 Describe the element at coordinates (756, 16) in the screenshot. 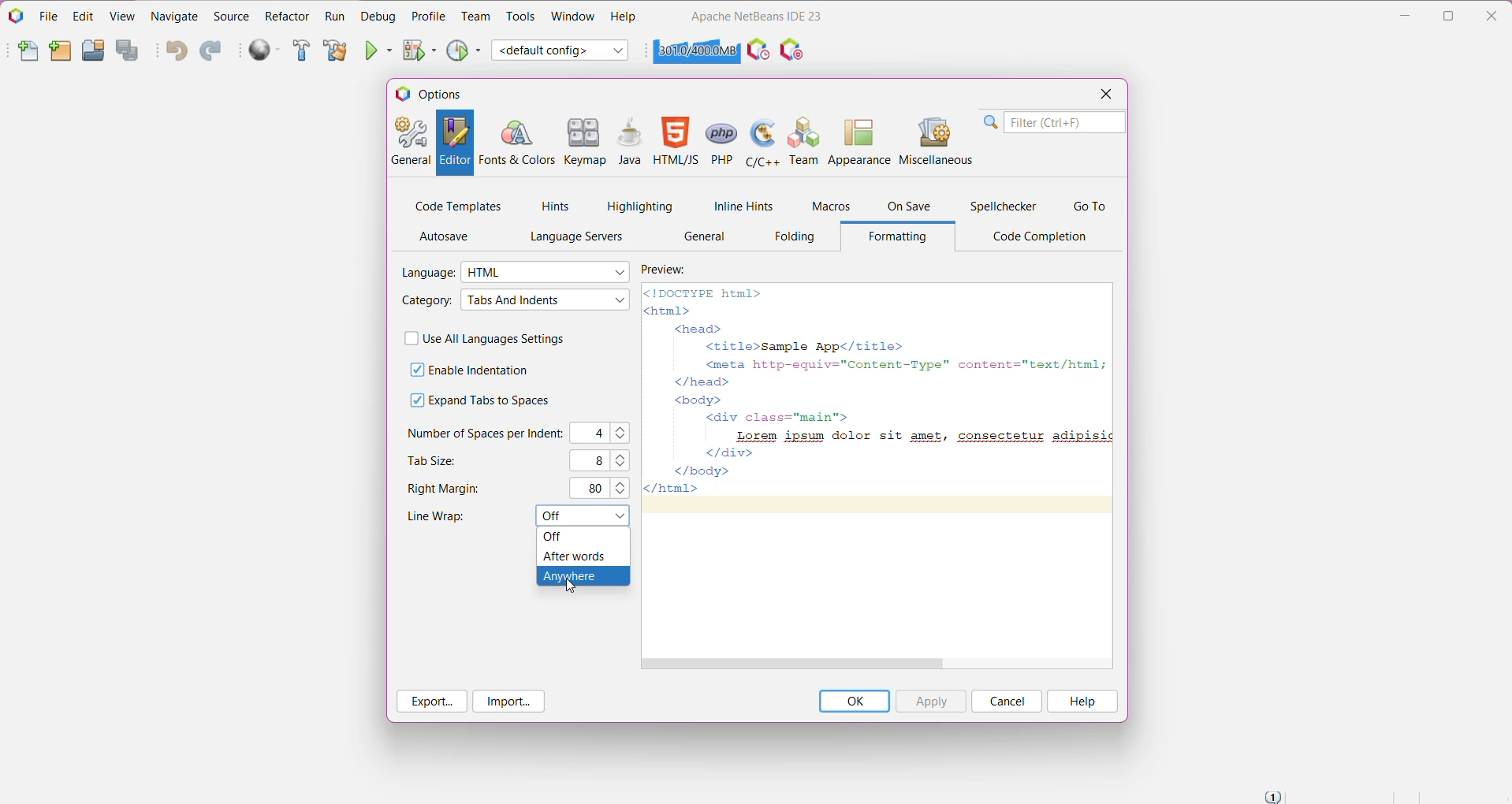

I see `Application Name` at that location.